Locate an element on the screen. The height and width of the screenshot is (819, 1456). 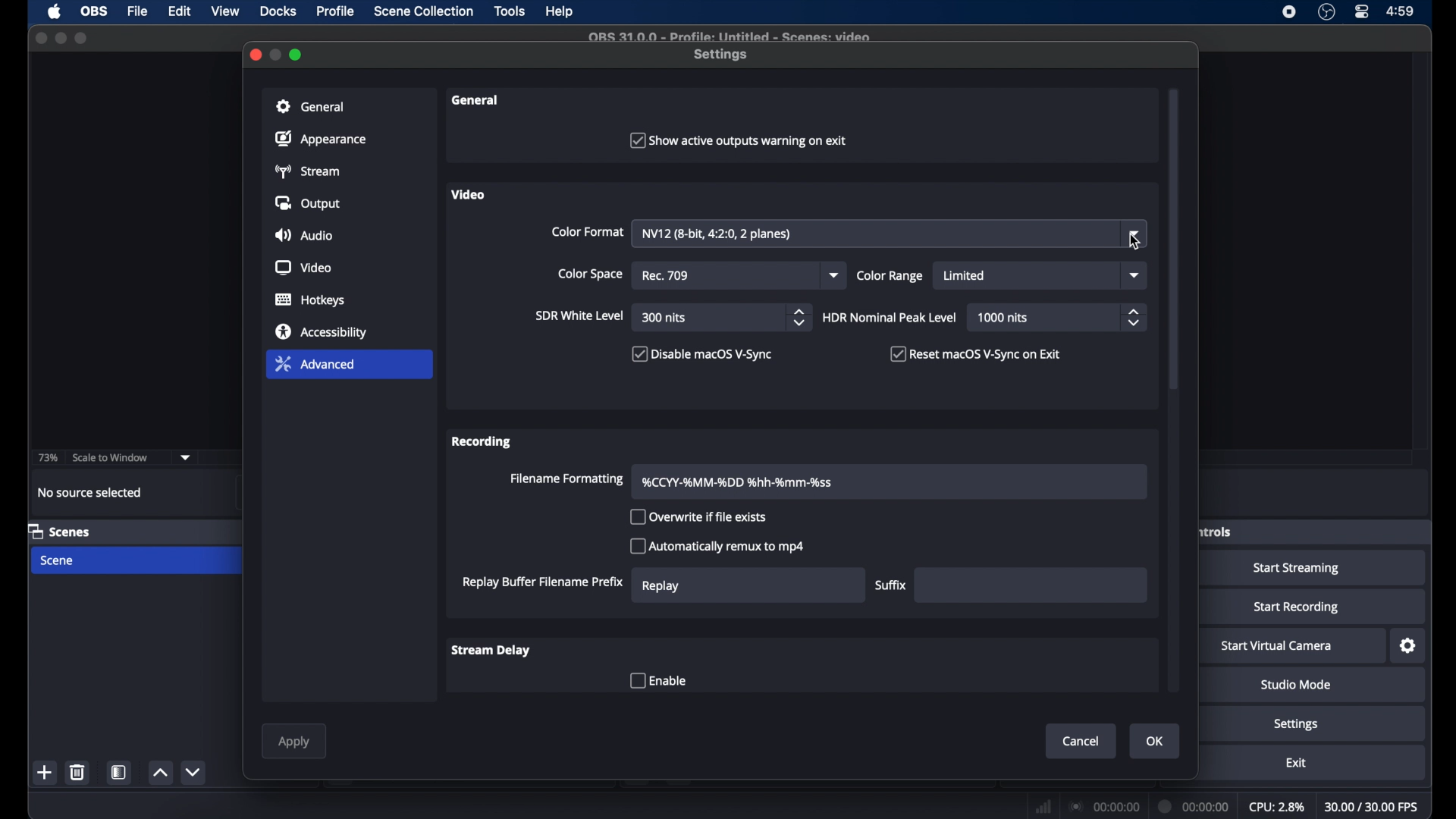
replay buffer filename prefix is located at coordinates (541, 582).